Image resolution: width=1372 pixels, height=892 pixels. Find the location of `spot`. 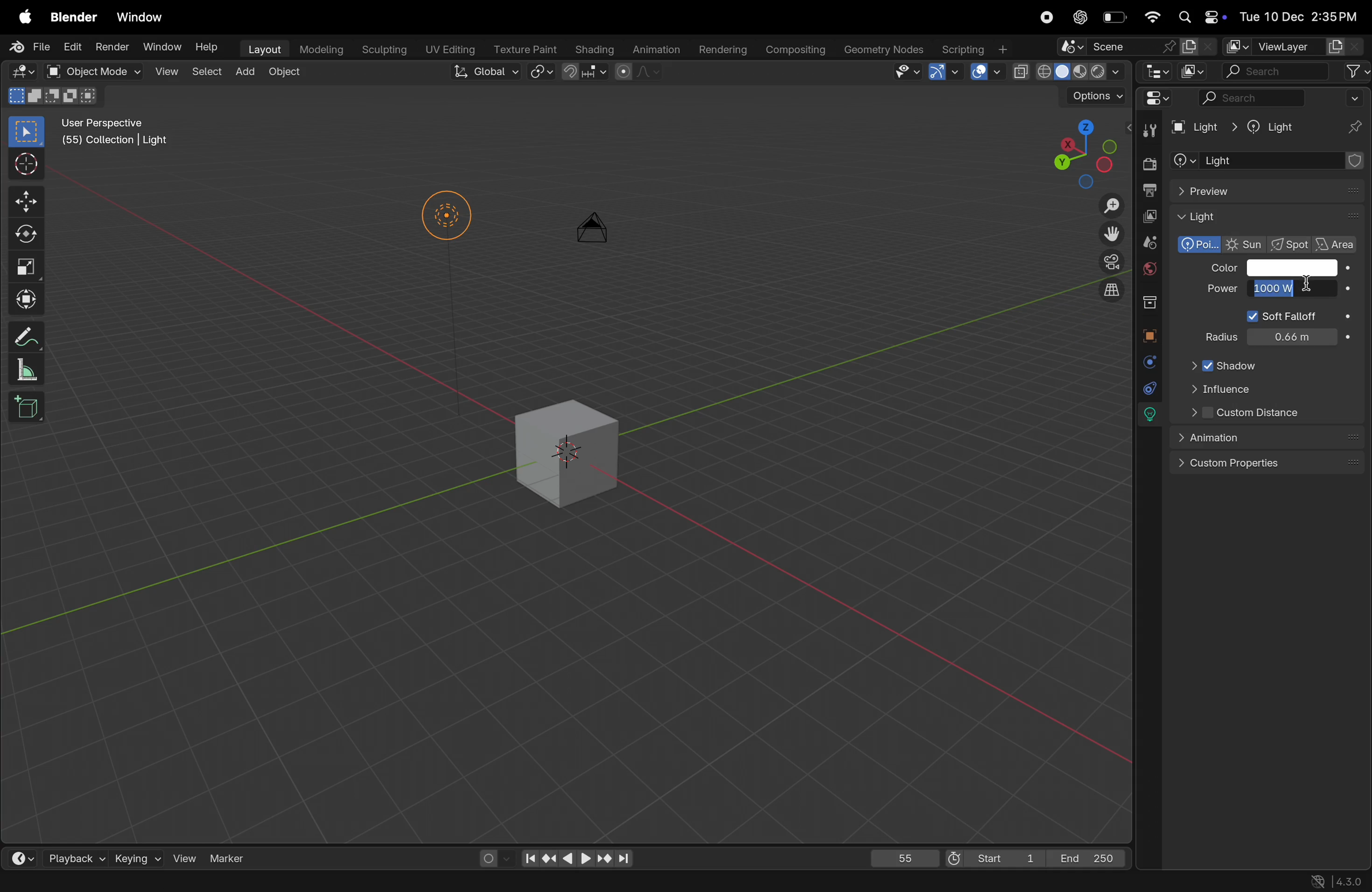

spot is located at coordinates (1292, 245).